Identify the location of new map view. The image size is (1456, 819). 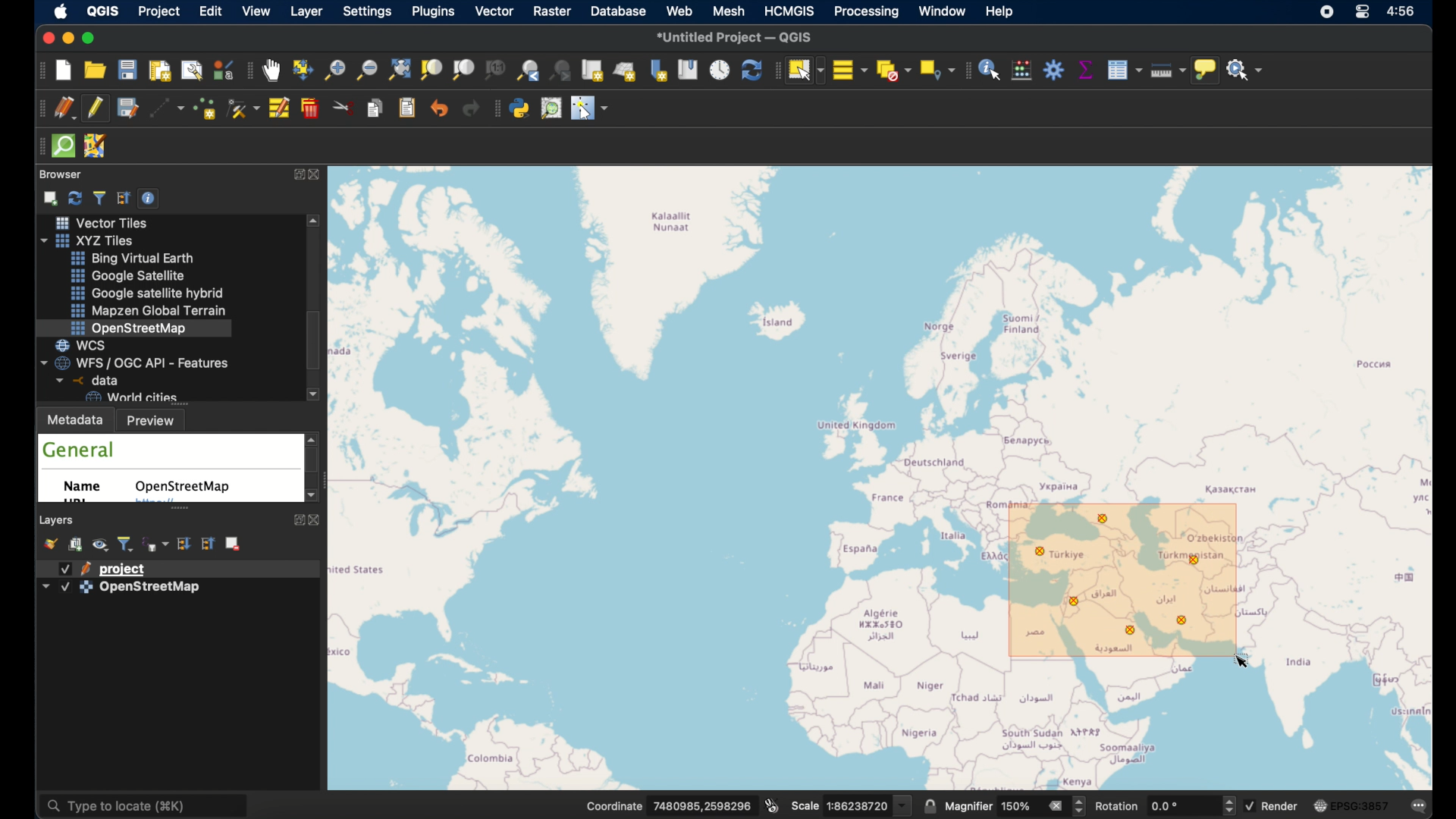
(593, 71).